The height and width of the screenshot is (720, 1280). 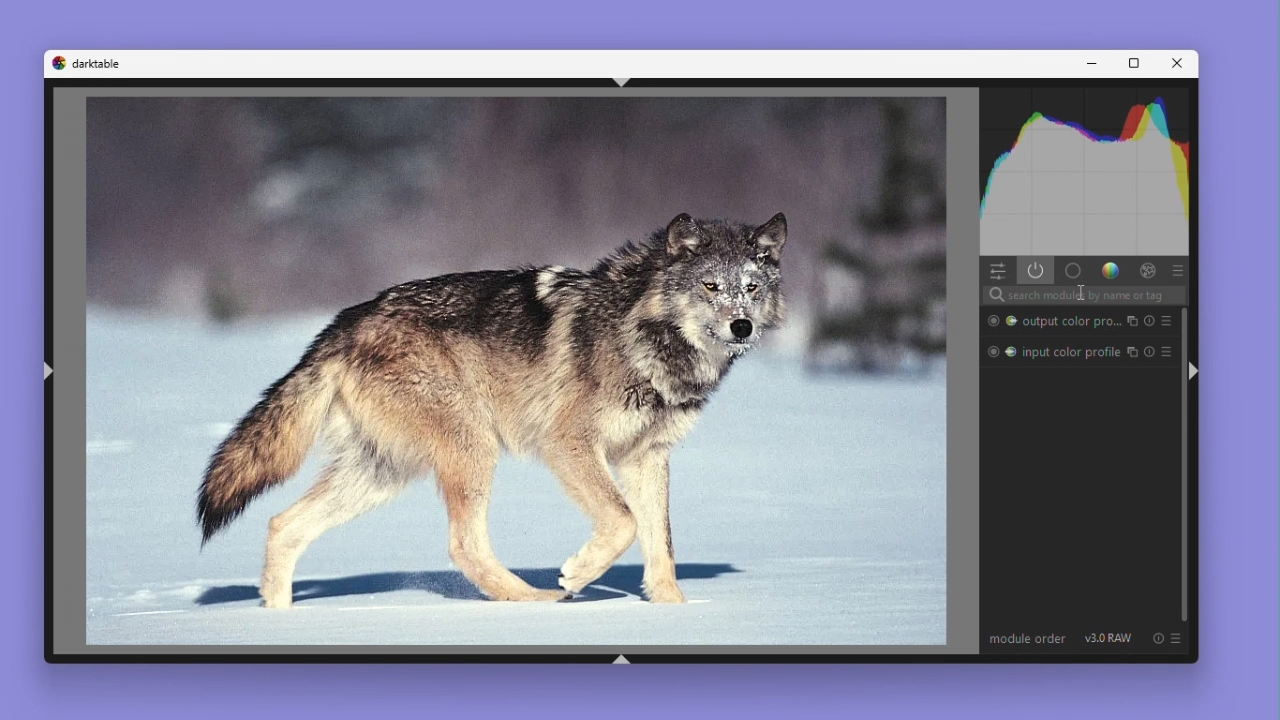 I want to click on Preset , so click(x=1180, y=271).